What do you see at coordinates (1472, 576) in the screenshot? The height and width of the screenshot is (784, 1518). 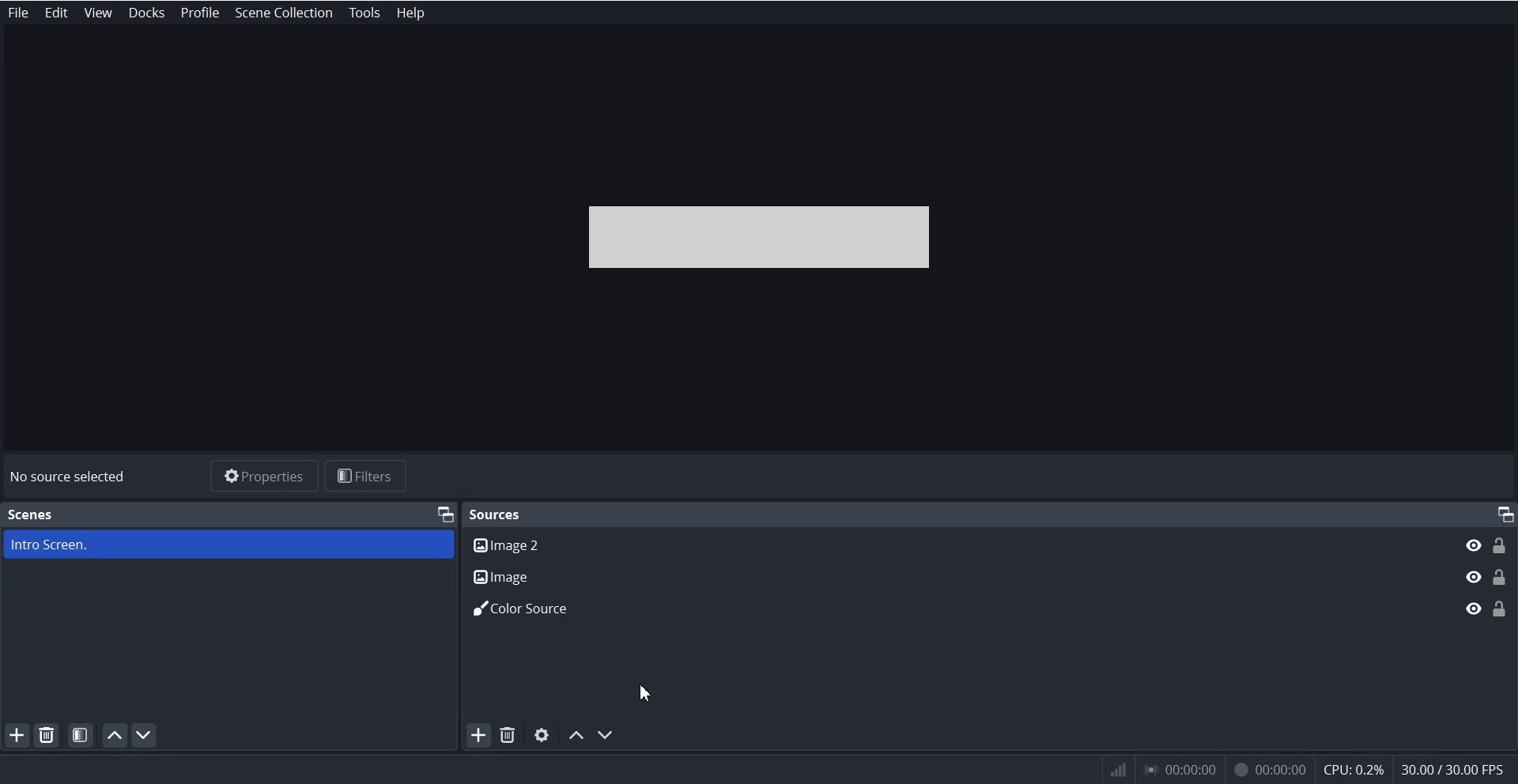 I see `Eye` at bounding box center [1472, 576].